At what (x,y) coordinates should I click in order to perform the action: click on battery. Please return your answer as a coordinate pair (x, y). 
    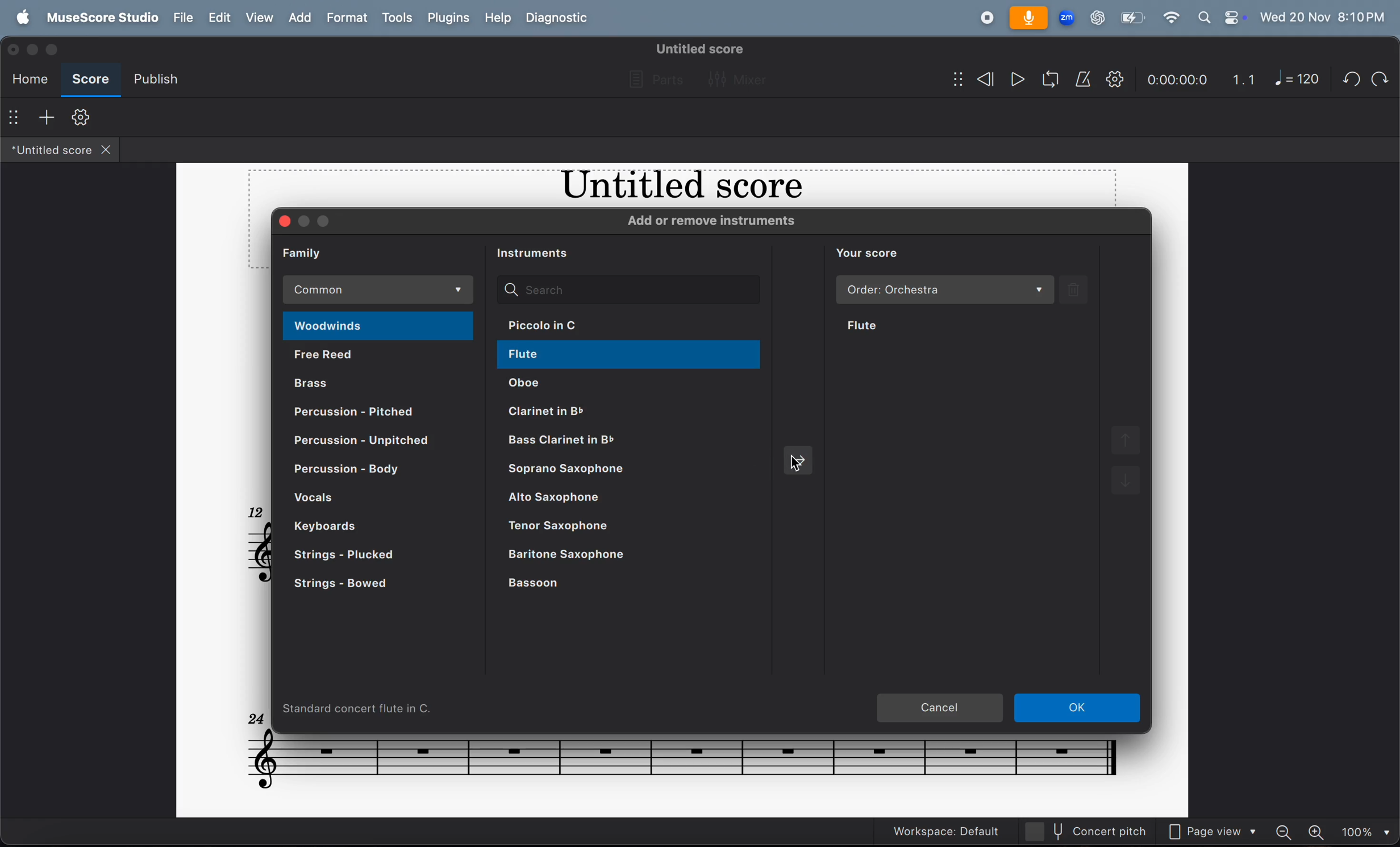
    Looking at the image, I should click on (1132, 20).